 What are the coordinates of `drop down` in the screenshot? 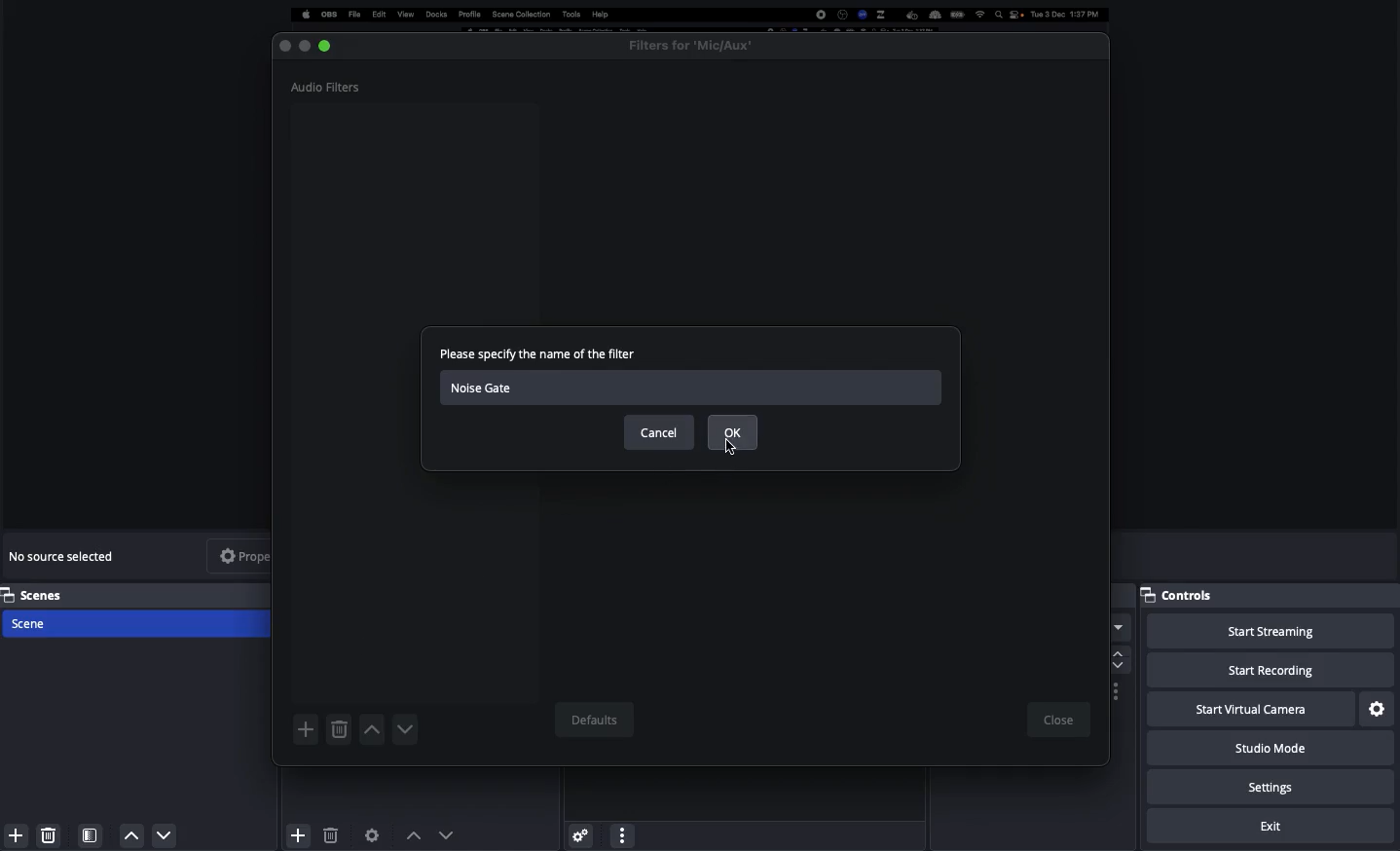 It's located at (1119, 630).